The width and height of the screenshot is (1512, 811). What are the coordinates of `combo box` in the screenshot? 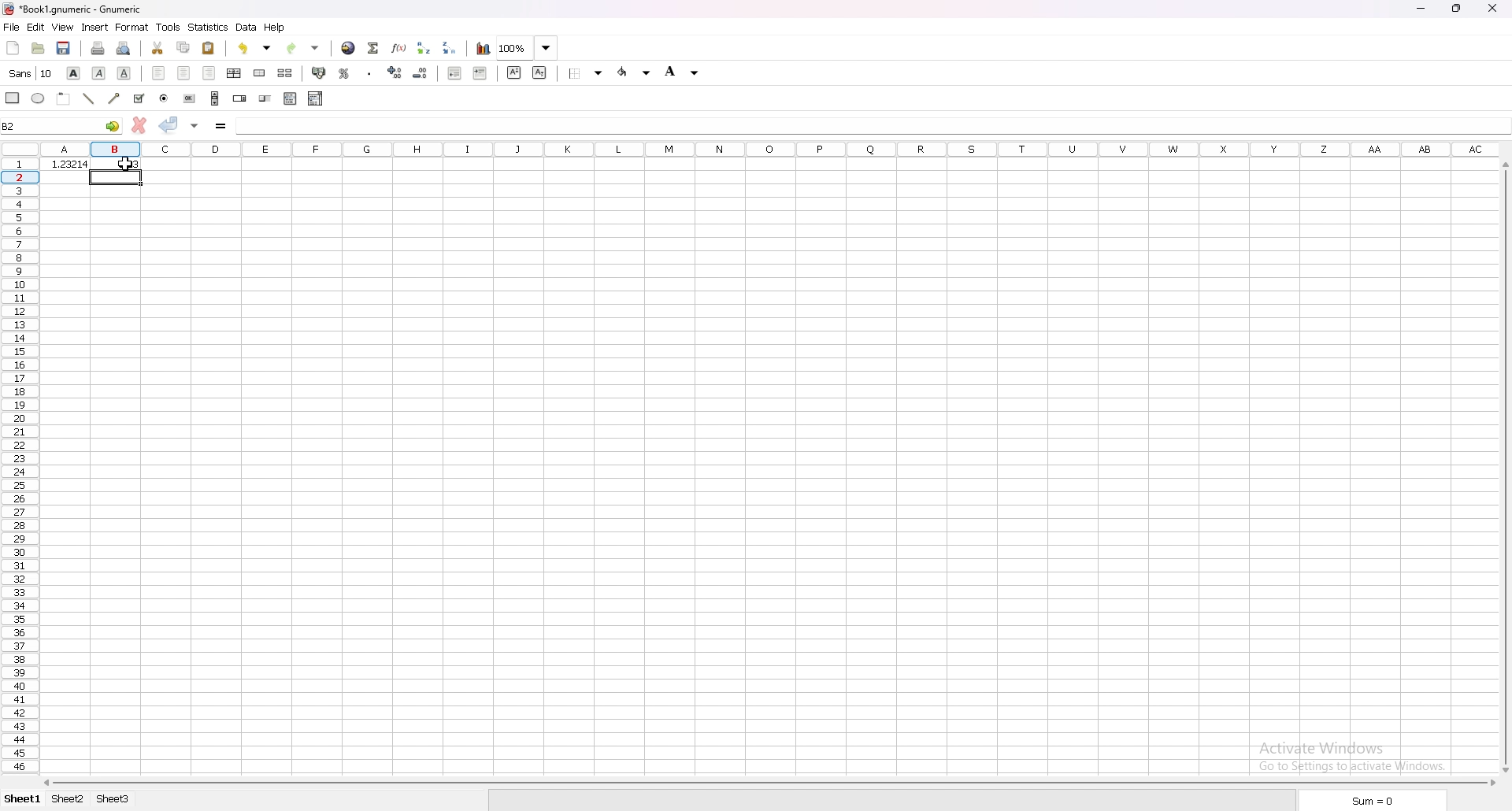 It's located at (315, 98).